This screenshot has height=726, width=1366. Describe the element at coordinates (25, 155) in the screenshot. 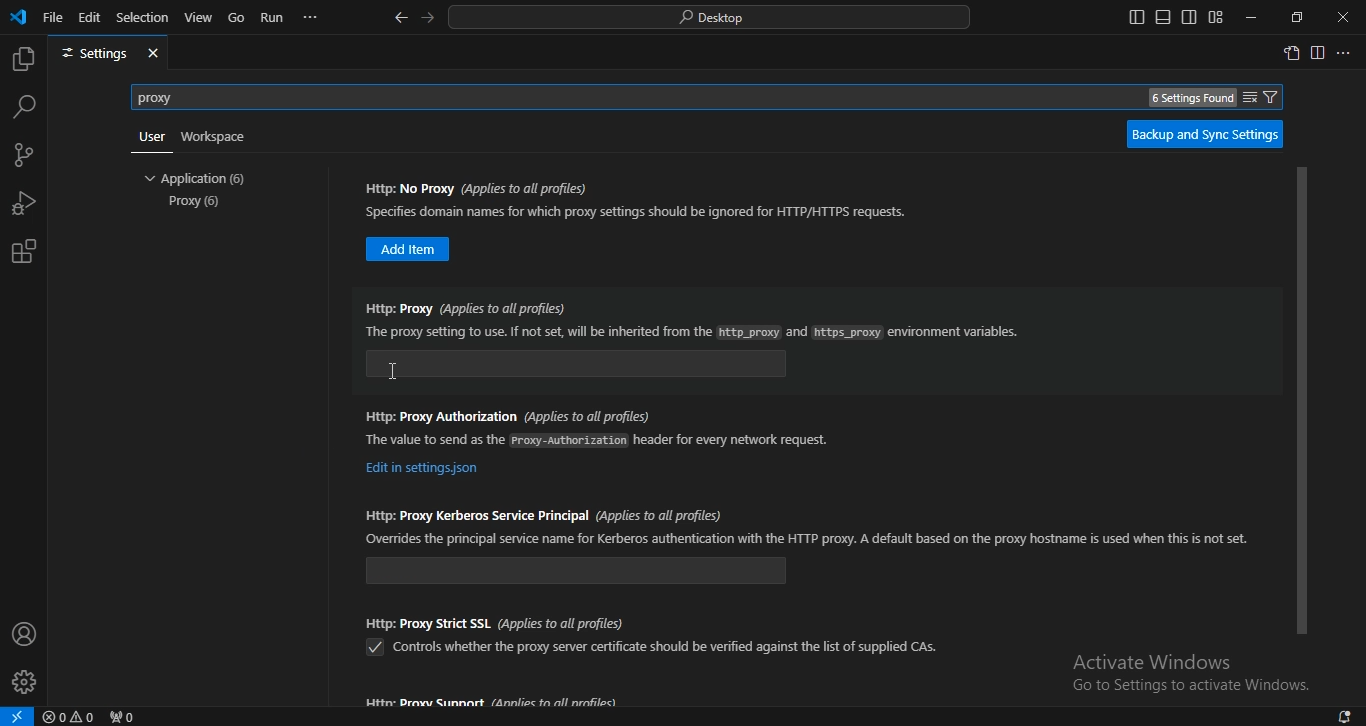

I see `source control` at that location.